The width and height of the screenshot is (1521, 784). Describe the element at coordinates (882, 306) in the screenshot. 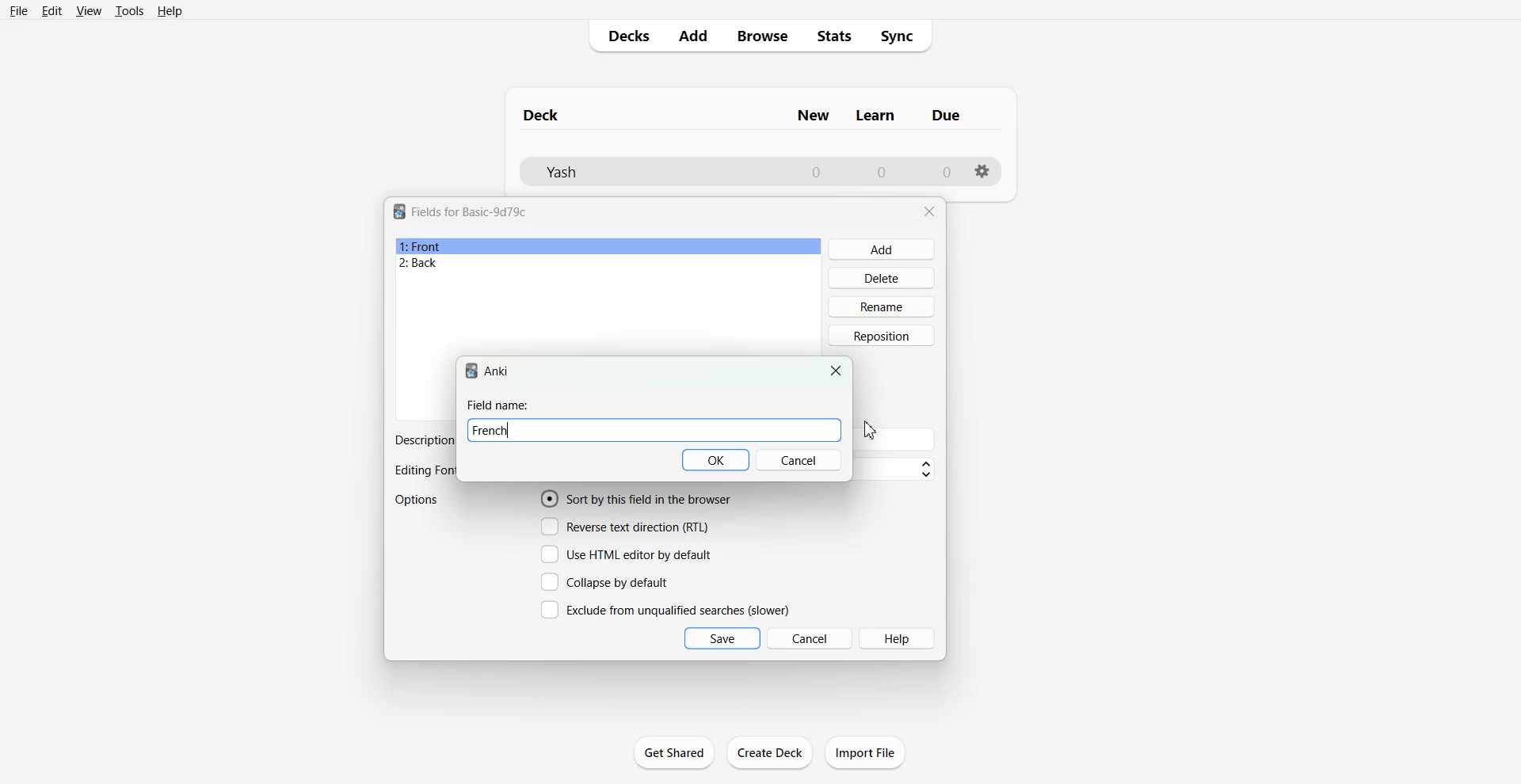

I see `Rename` at that location.